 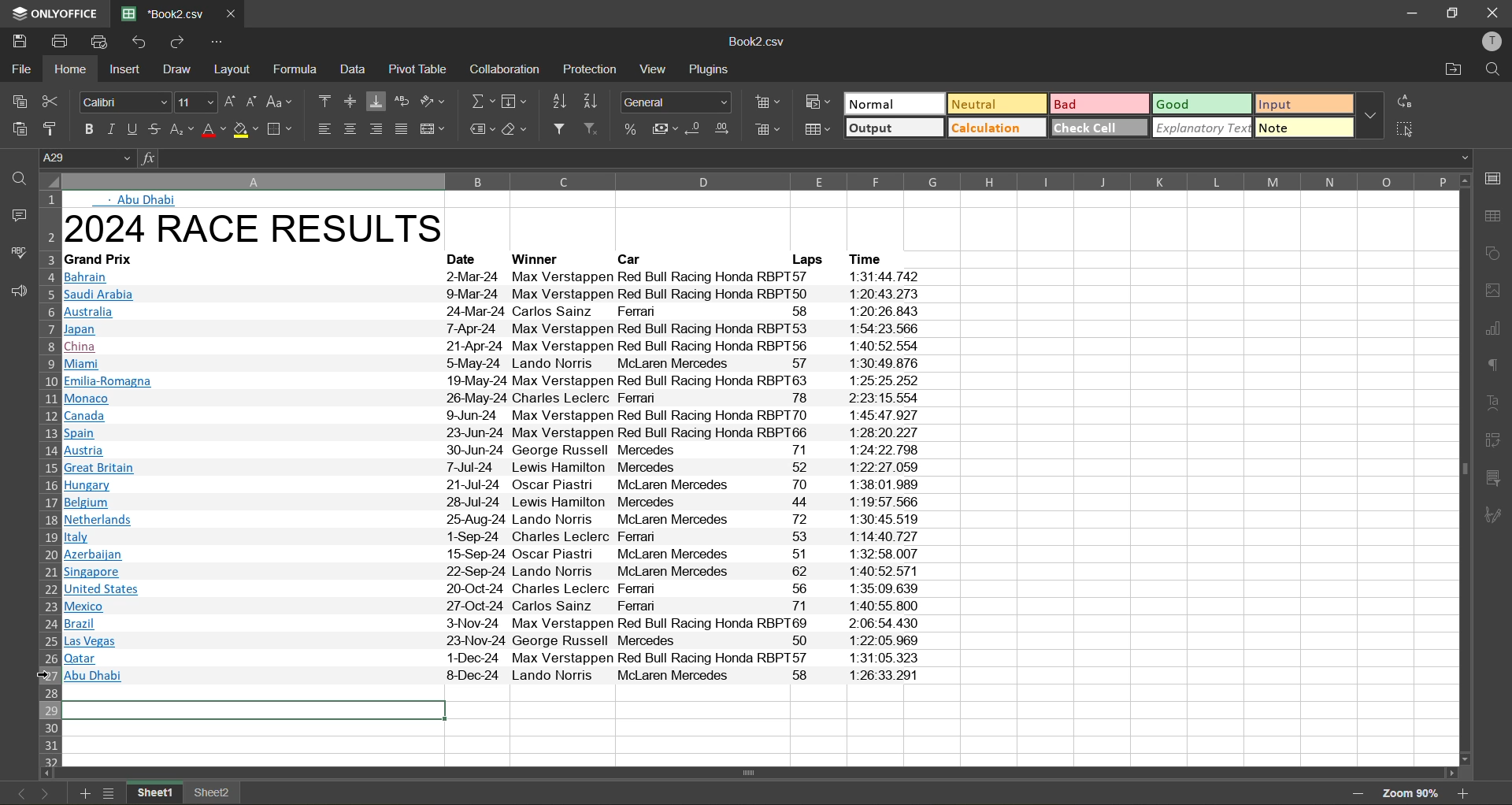 I want to click on summation, so click(x=482, y=101).